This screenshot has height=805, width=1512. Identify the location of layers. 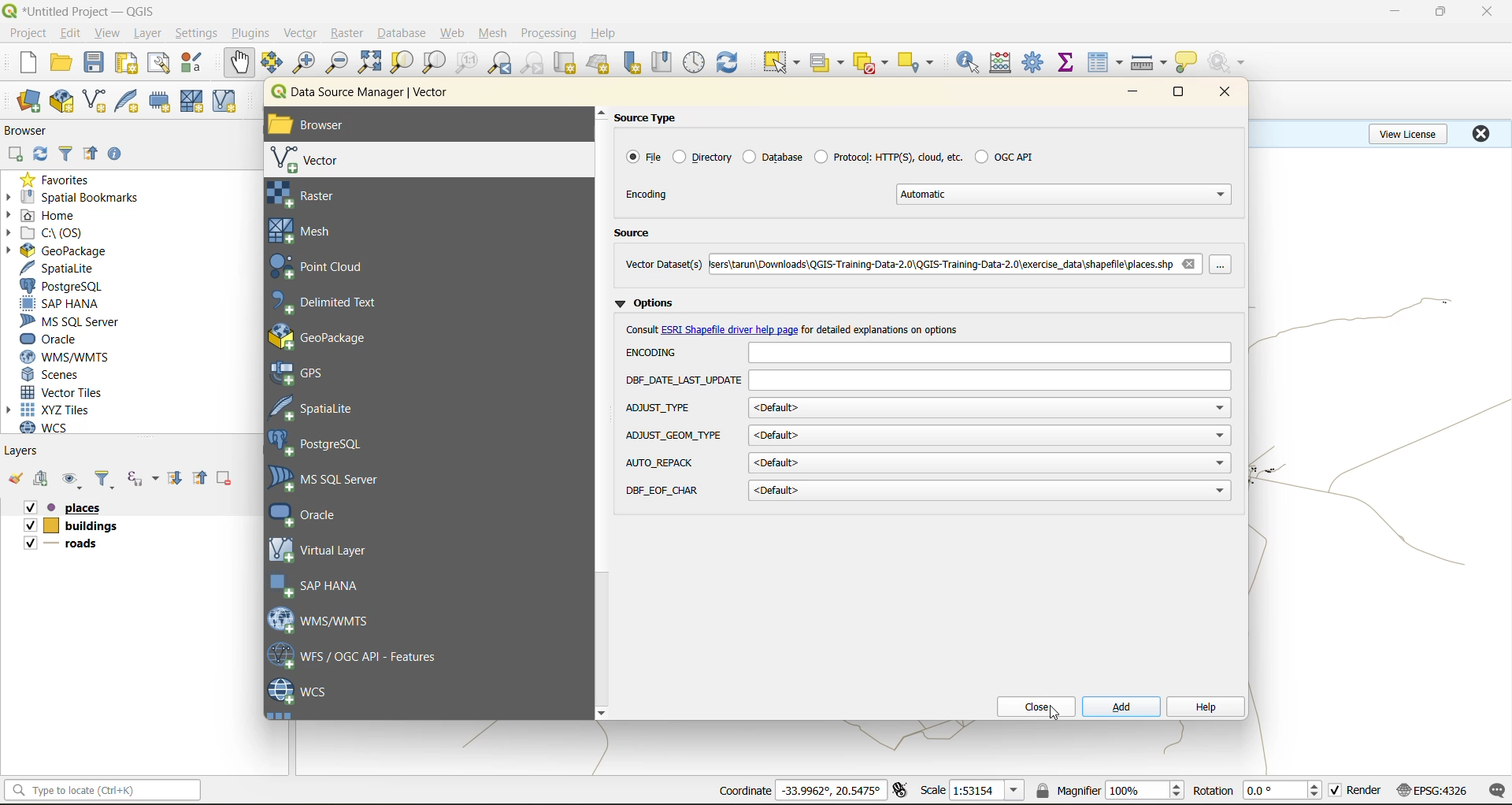
(88, 508).